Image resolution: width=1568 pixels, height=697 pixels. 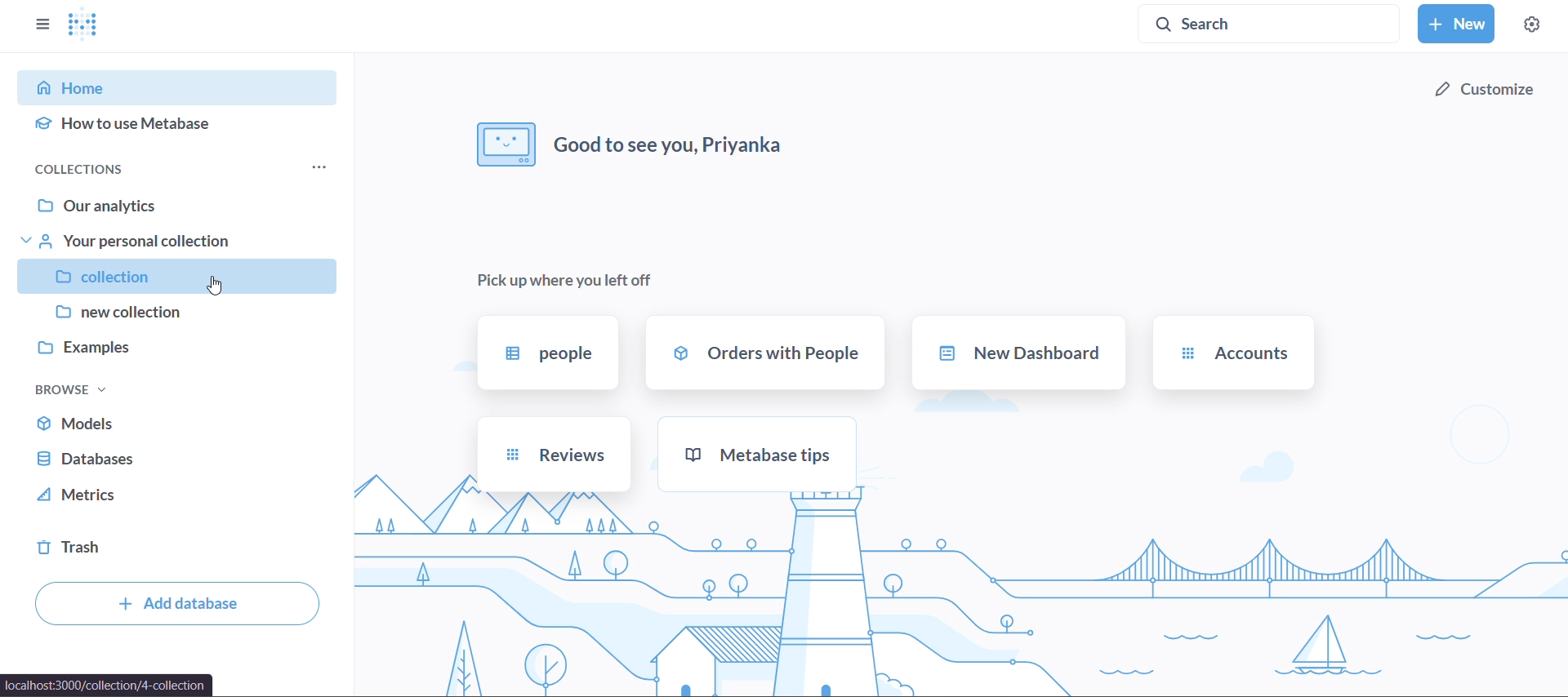 What do you see at coordinates (175, 606) in the screenshot?
I see `add databse` at bounding box center [175, 606].